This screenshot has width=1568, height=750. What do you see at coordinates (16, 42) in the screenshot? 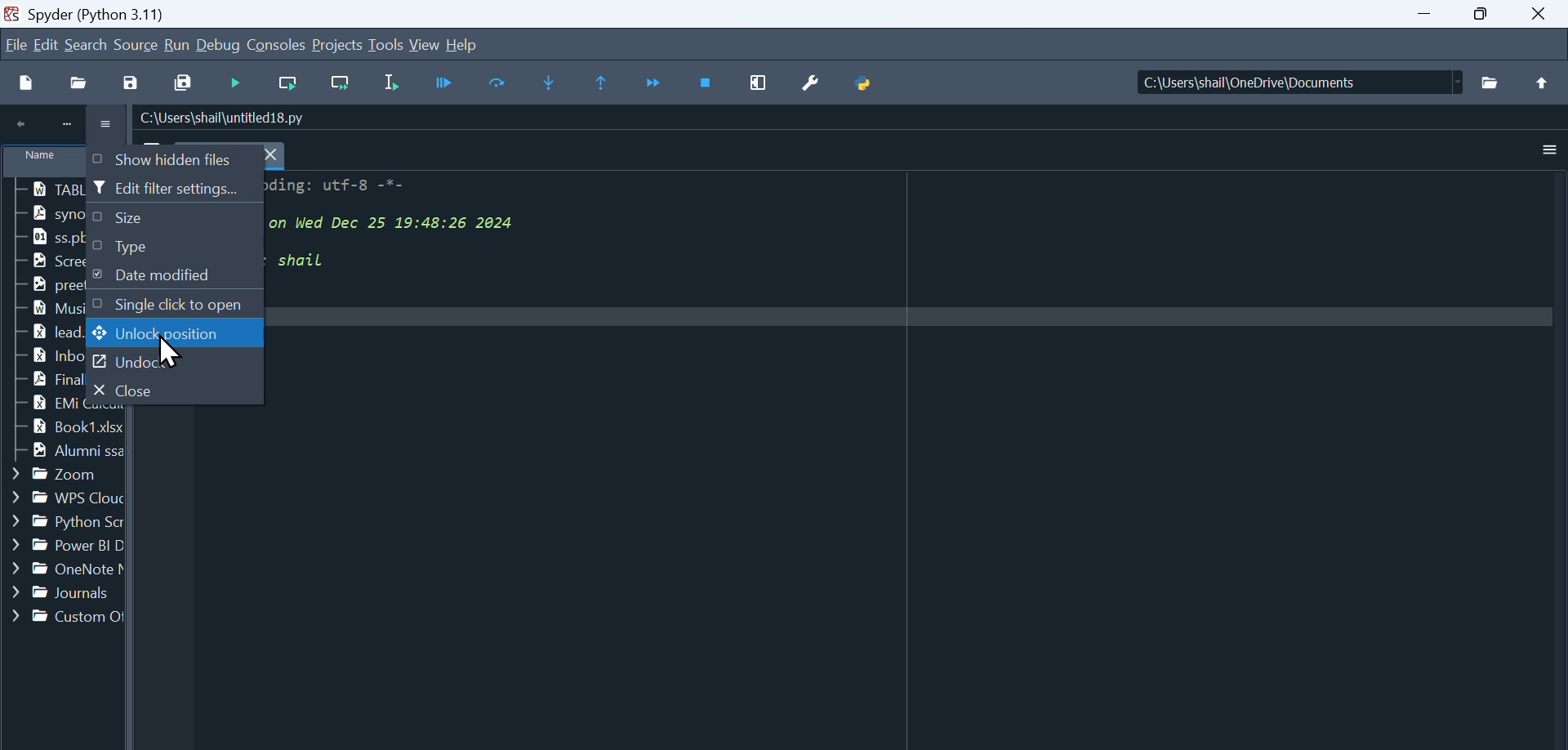
I see `File` at bounding box center [16, 42].